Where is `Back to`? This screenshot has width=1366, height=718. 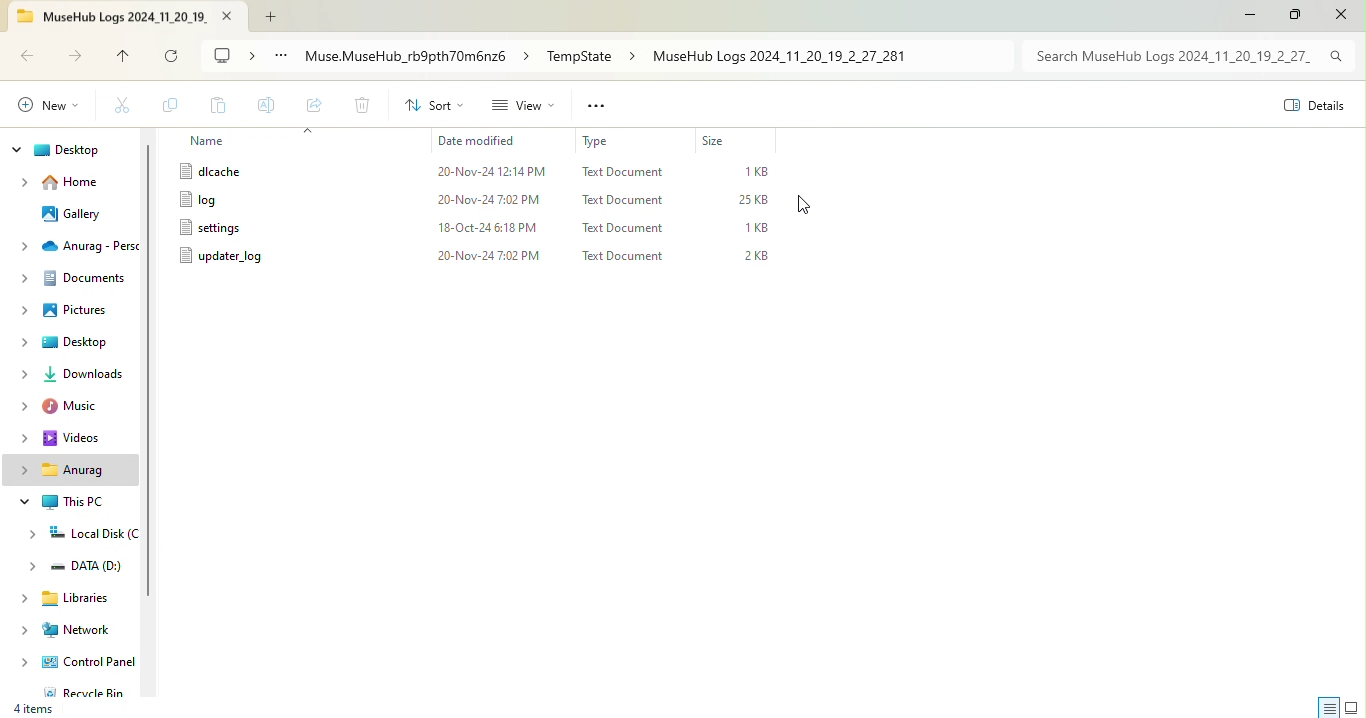
Back to is located at coordinates (30, 59).